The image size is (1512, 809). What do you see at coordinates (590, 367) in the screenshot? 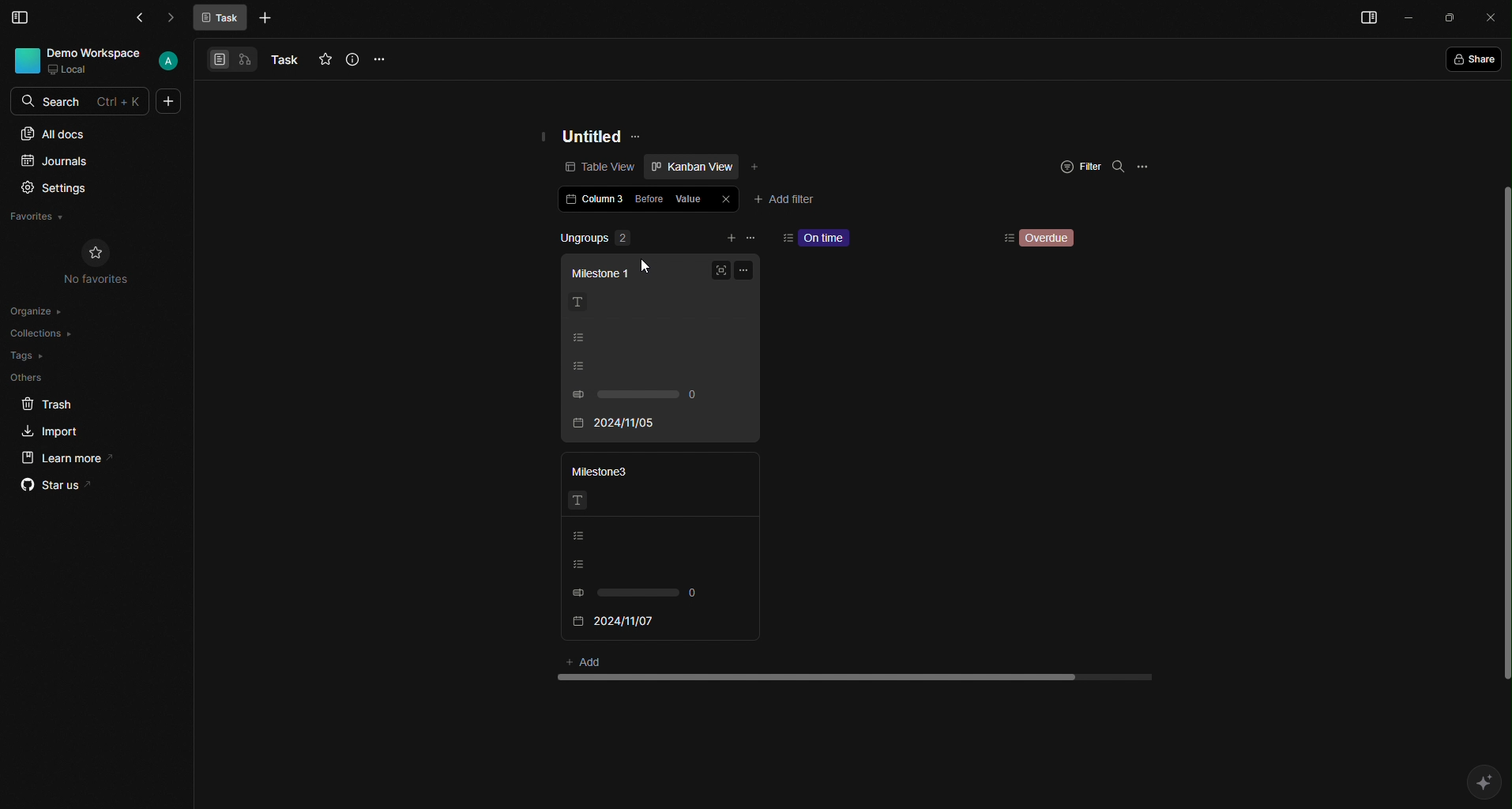
I see `Listing` at bounding box center [590, 367].